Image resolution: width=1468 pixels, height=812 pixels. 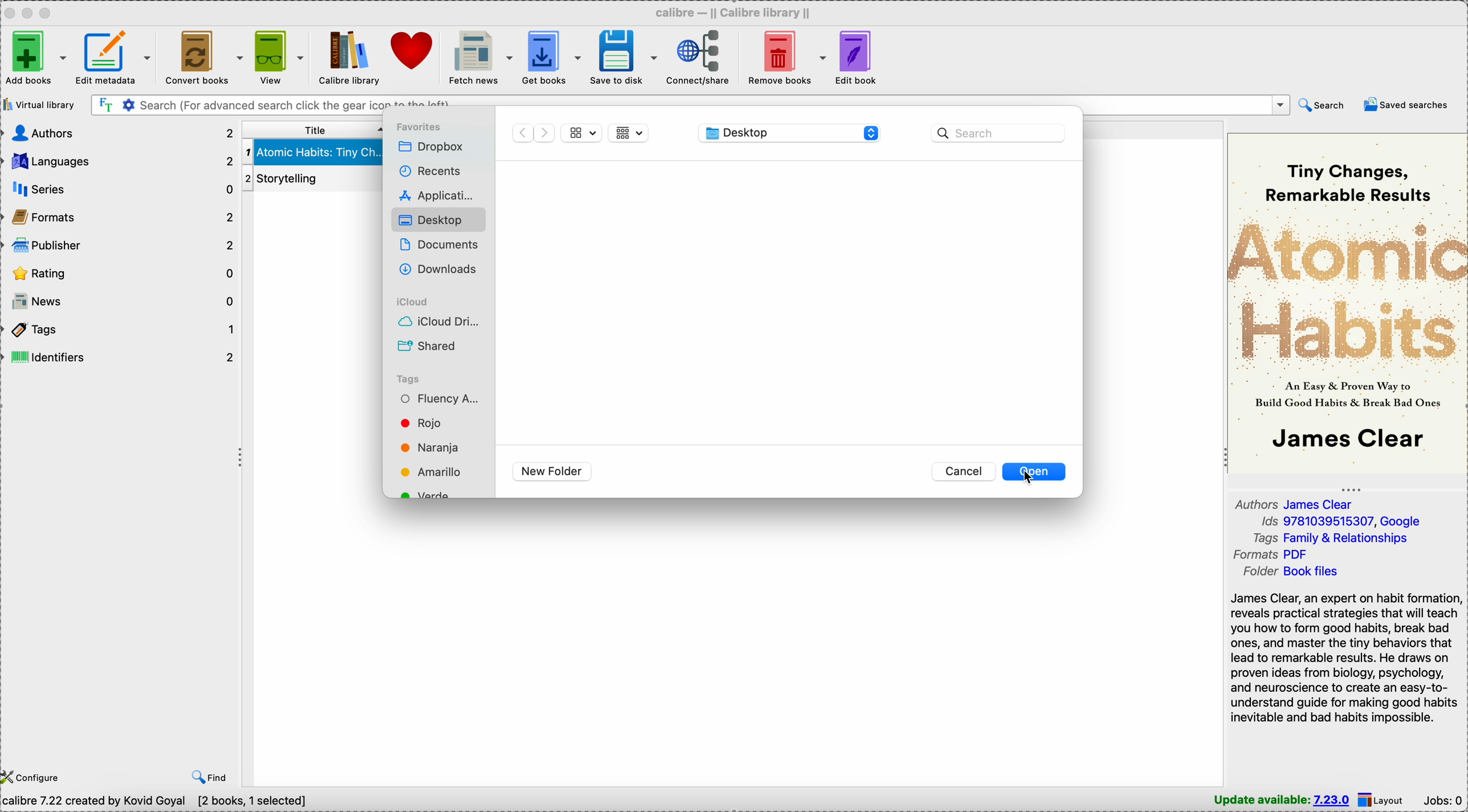 I want to click on find, so click(x=212, y=777).